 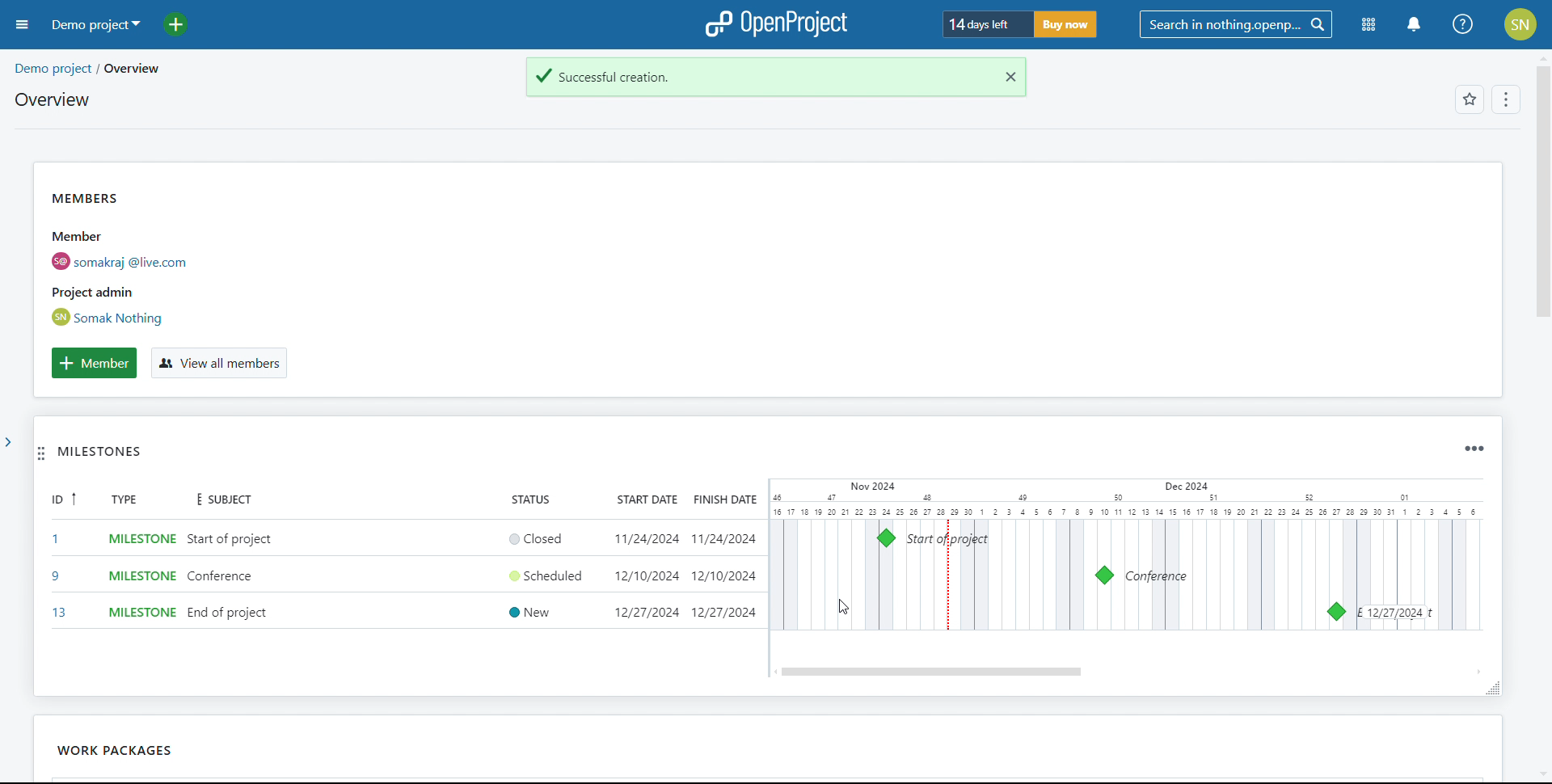 I want to click on notification, so click(x=1413, y=25).